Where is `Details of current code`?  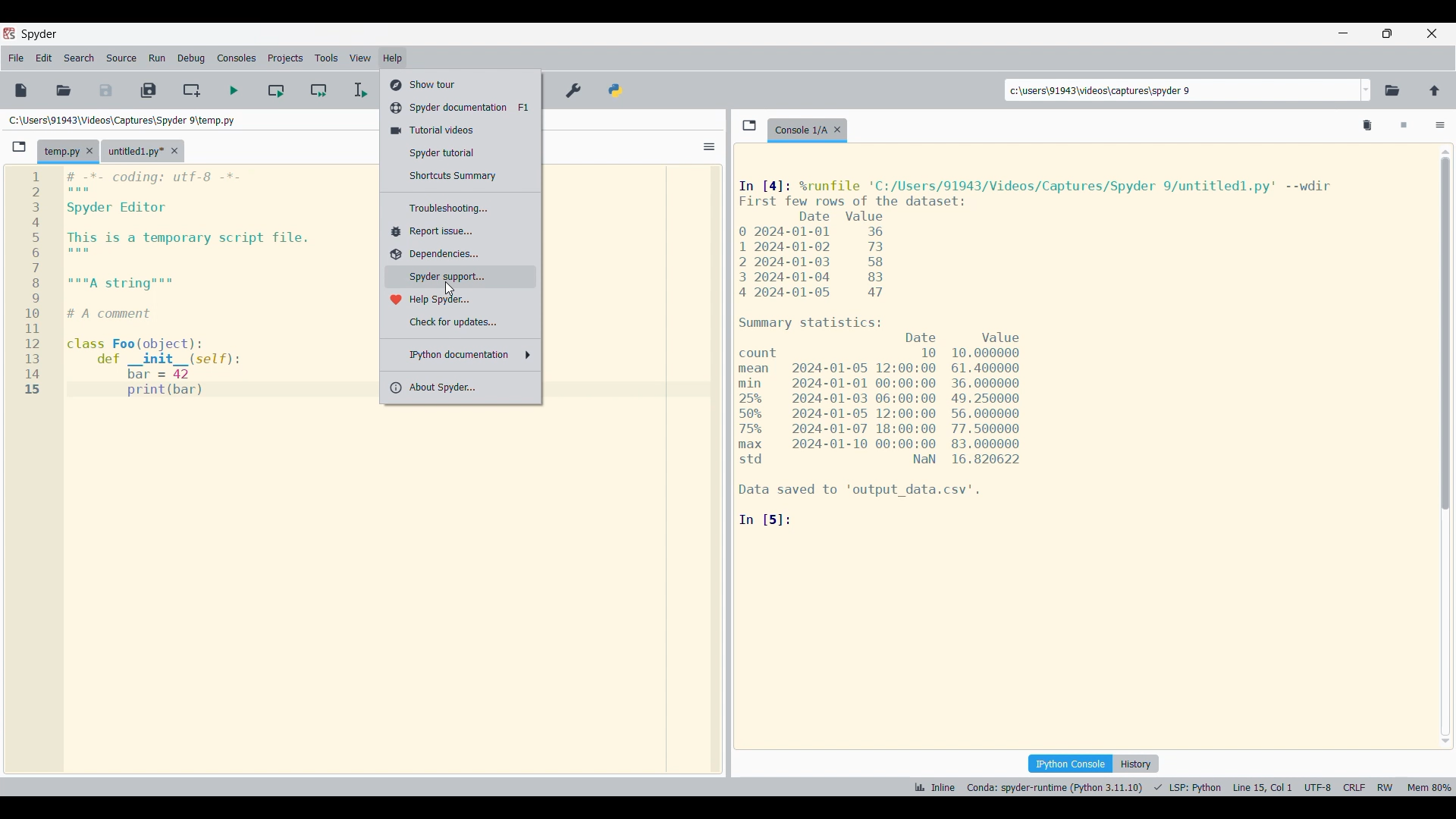
Details of current code is located at coordinates (1046, 353).